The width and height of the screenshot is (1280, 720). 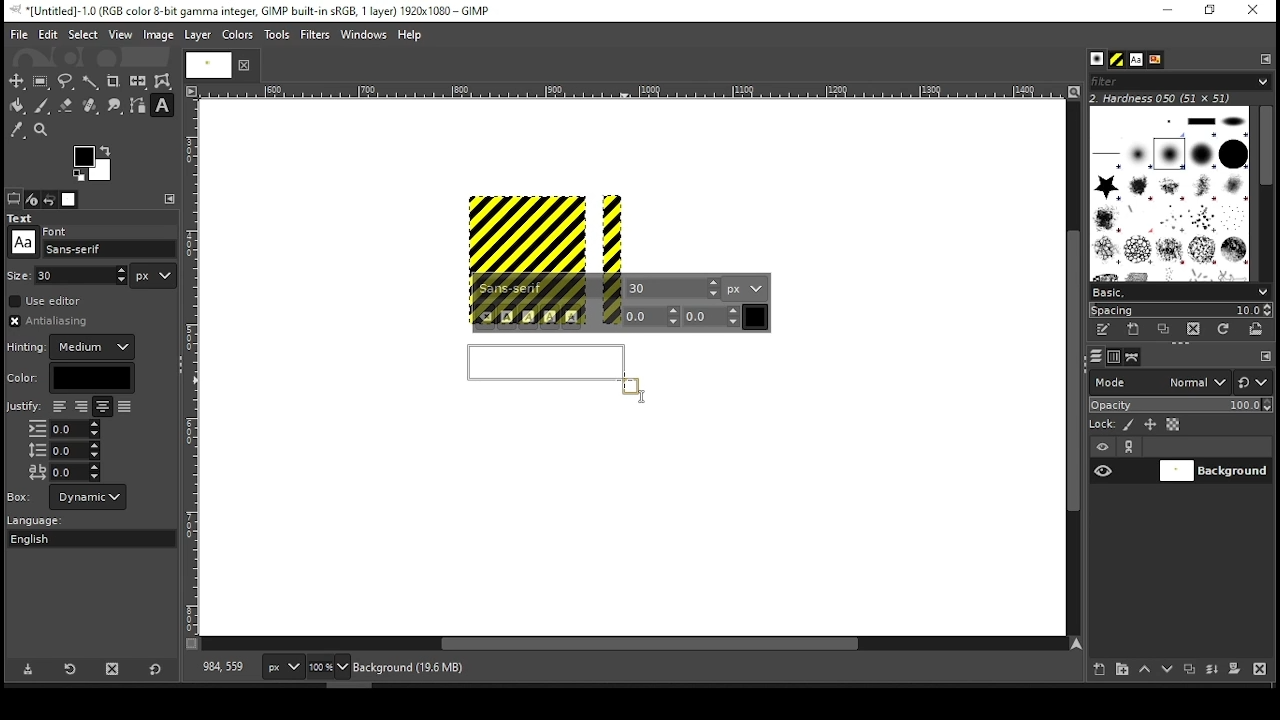 I want to click on configure this tab, so click(x=172, y=199).